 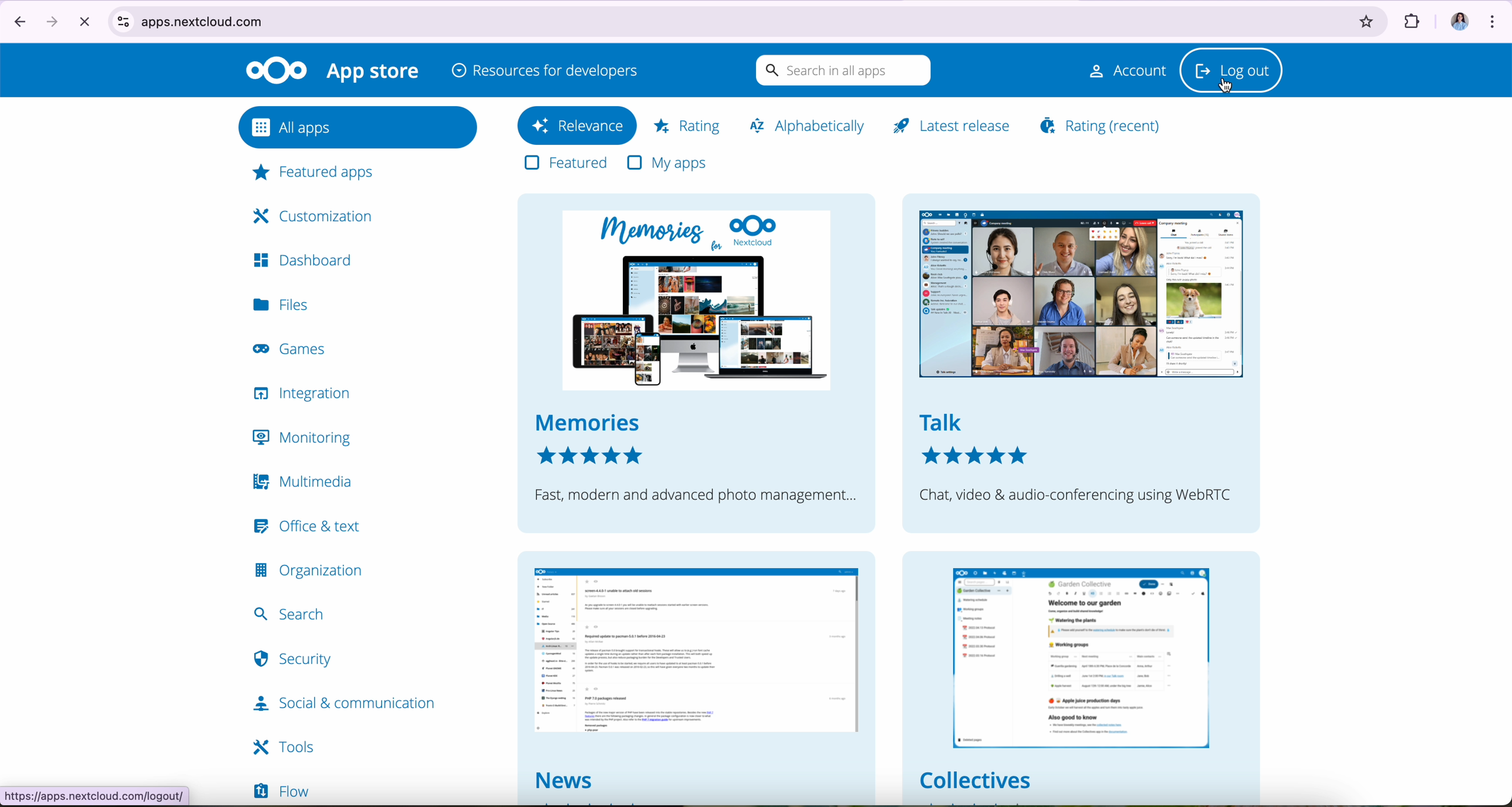 What do you see at coordinates (292, 349) in the screenshot?
I see `games` at bounding box center [292, 349].